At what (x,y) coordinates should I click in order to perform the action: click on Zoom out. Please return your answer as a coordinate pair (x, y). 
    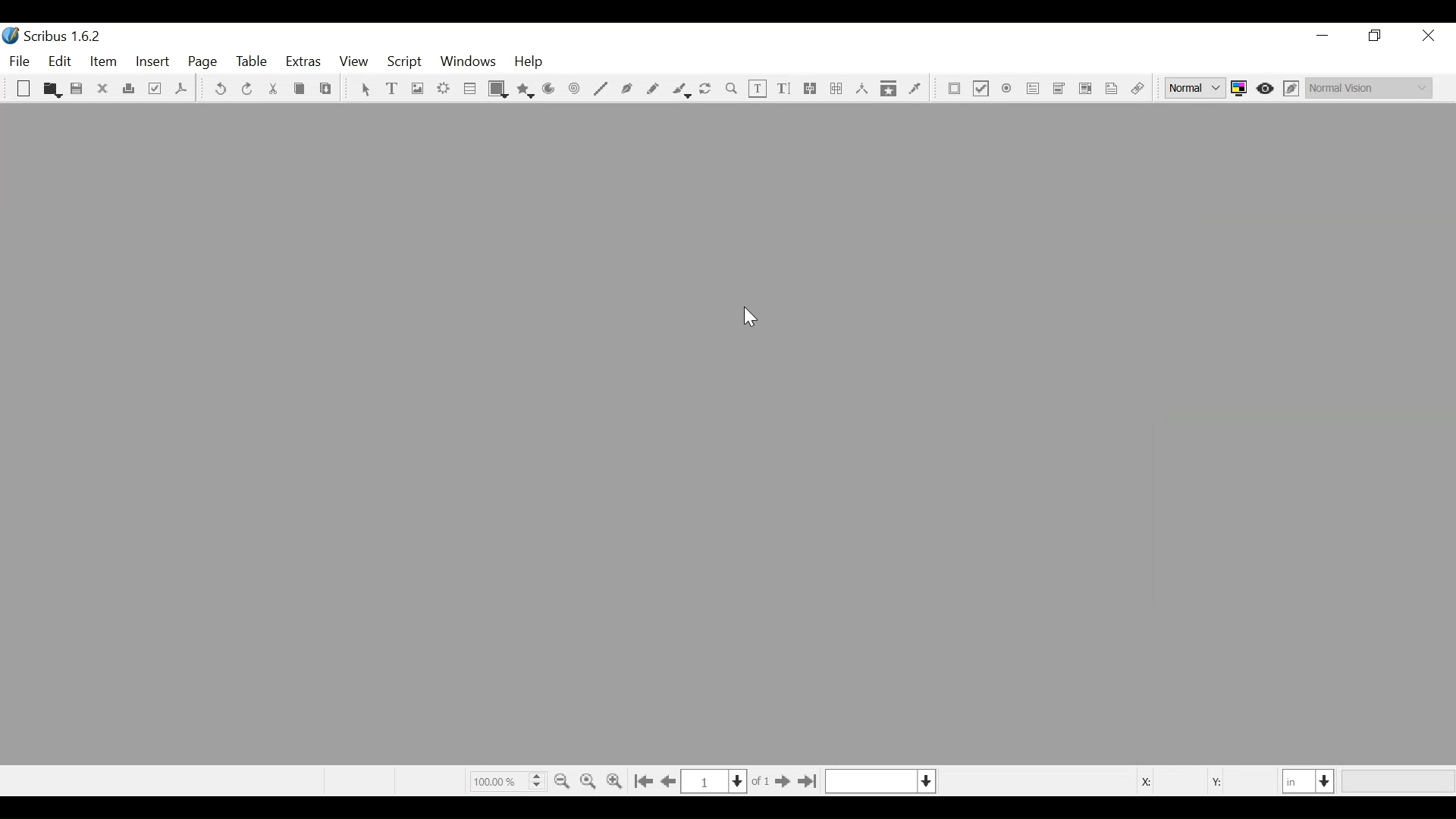
    Looking at the image, I should click on (563, 780).